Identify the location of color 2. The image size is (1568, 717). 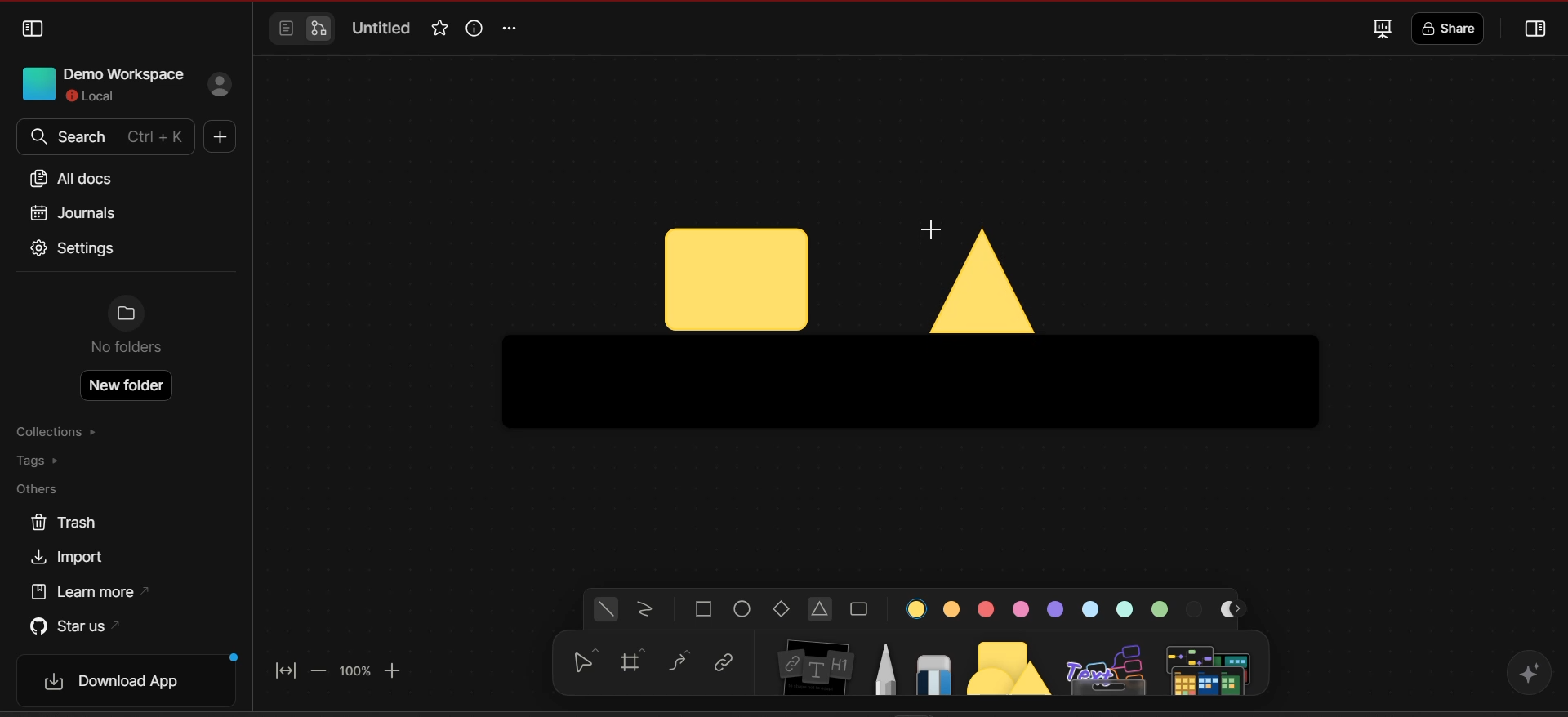
(952, 608).